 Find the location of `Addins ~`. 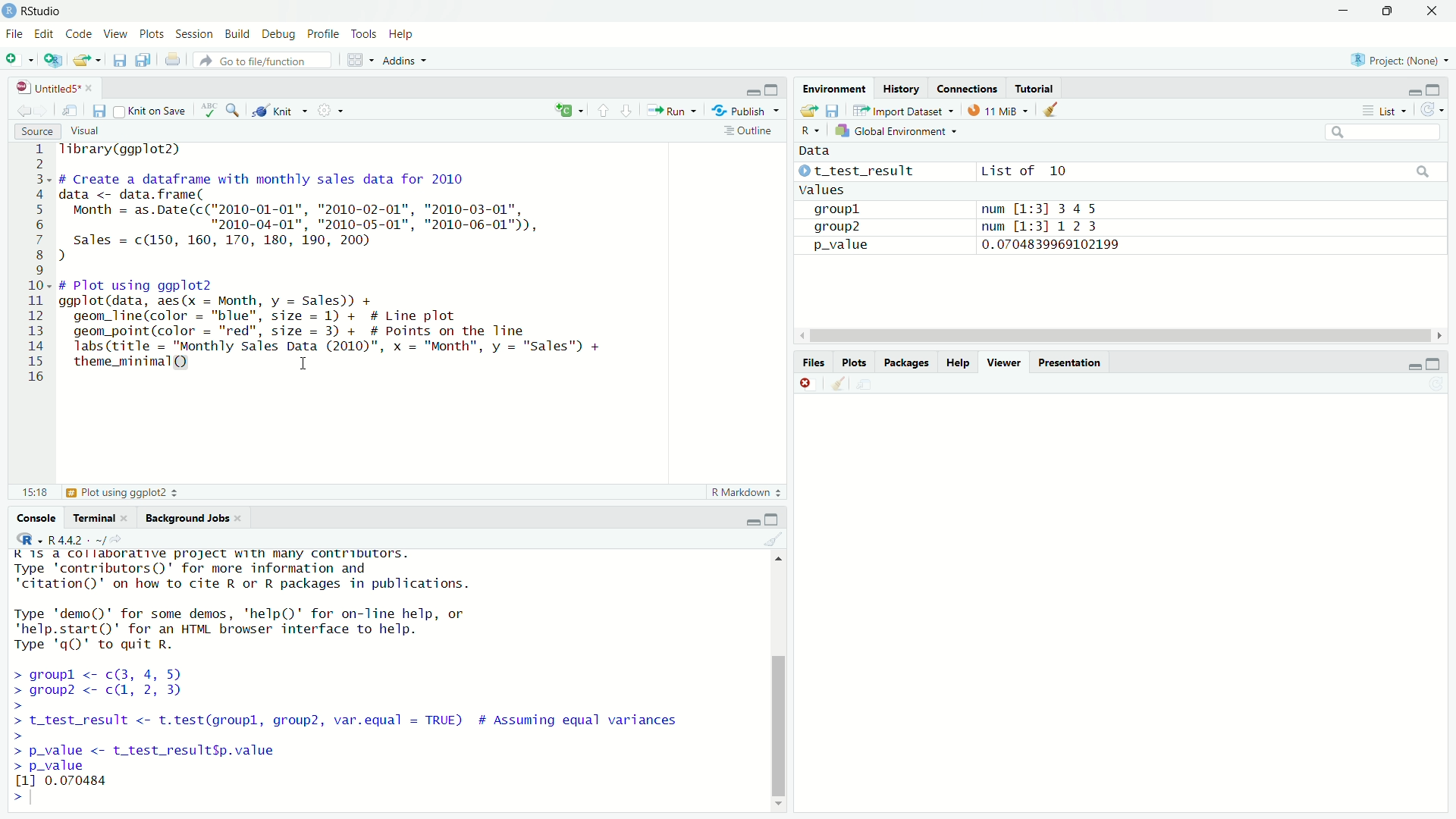

Addins ~ is located at coordinates (406, 60).